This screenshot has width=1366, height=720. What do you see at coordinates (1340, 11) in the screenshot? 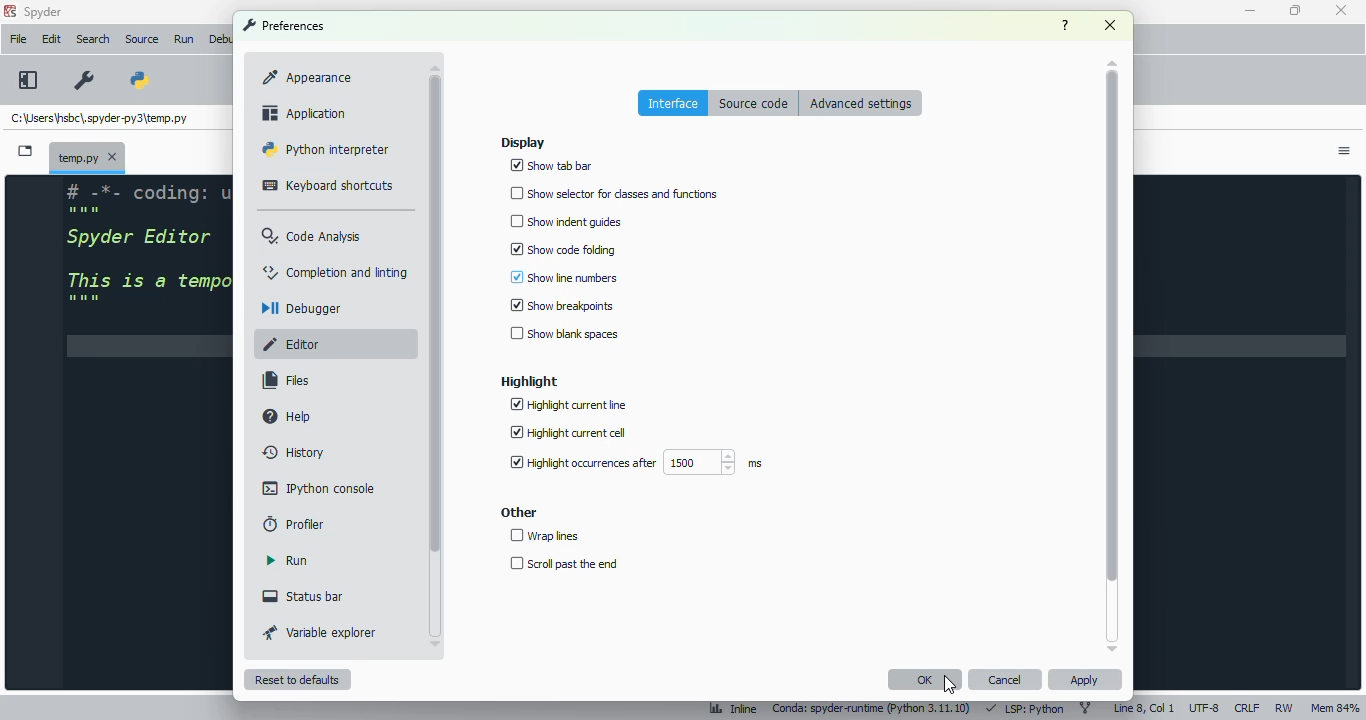
I see `close` at bounding box center [1340, 11].